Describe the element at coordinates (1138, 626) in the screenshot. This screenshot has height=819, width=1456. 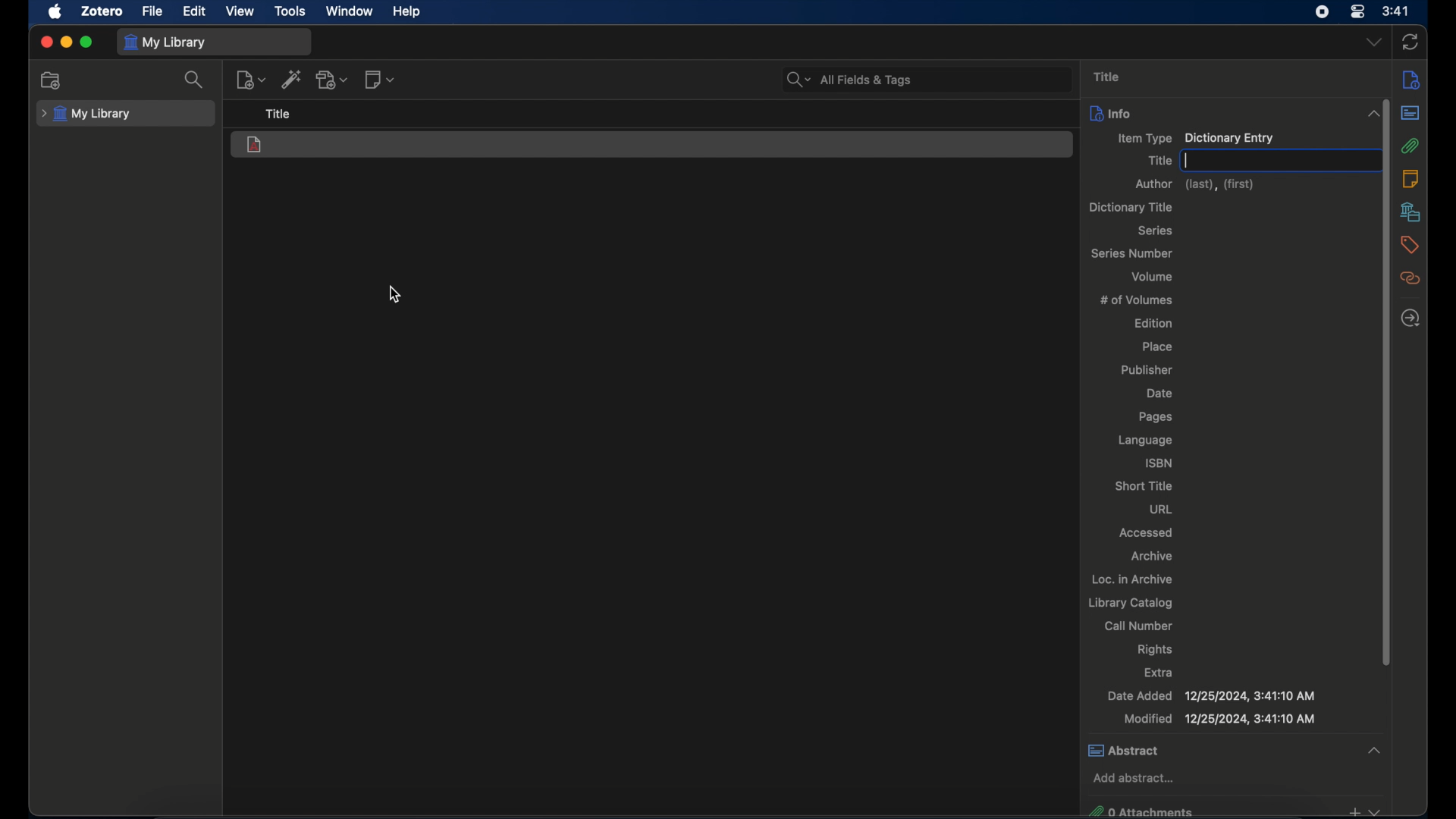
I see `call number` at that location.